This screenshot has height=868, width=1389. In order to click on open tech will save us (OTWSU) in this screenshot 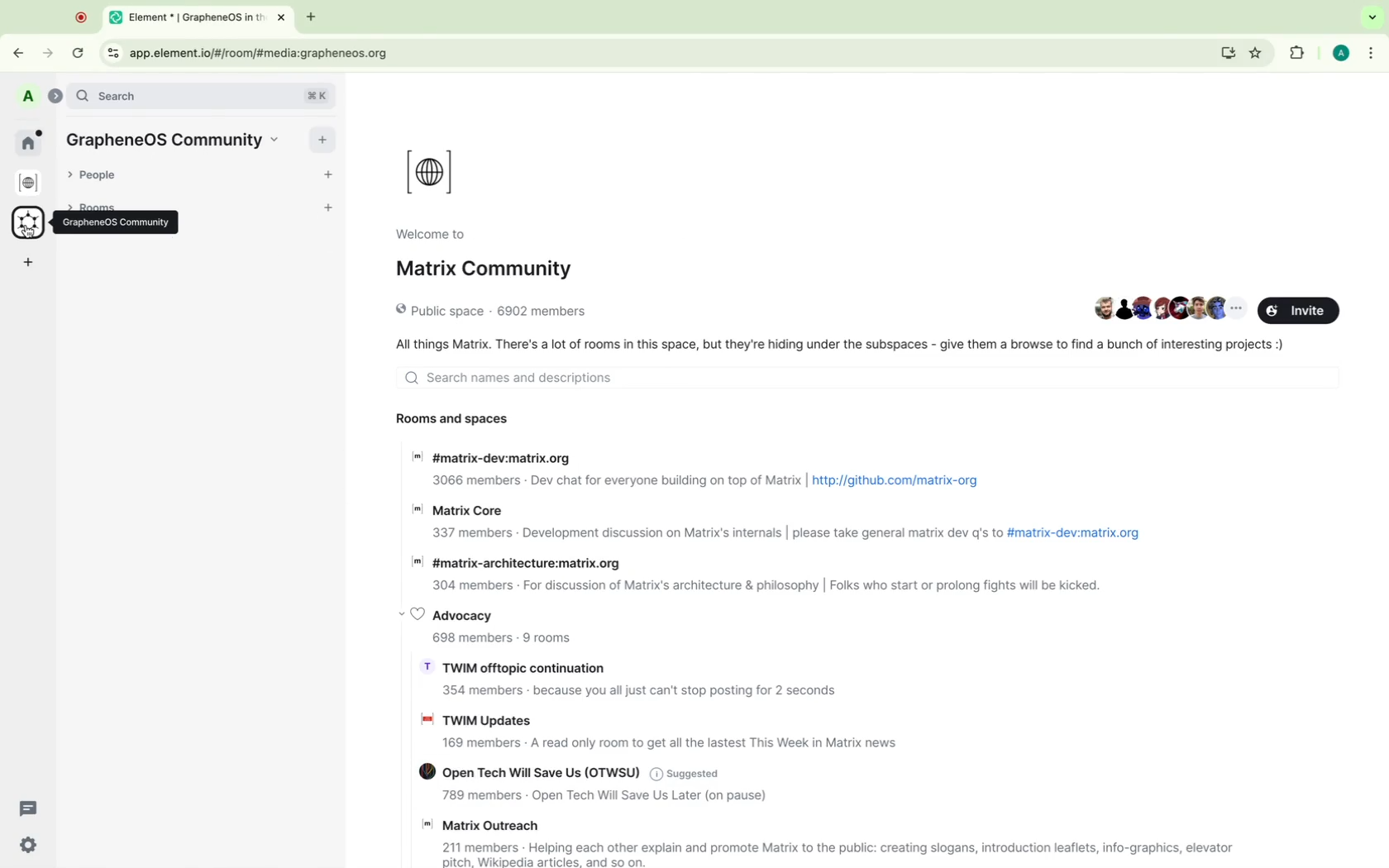, I will do `click(519, 771)`.